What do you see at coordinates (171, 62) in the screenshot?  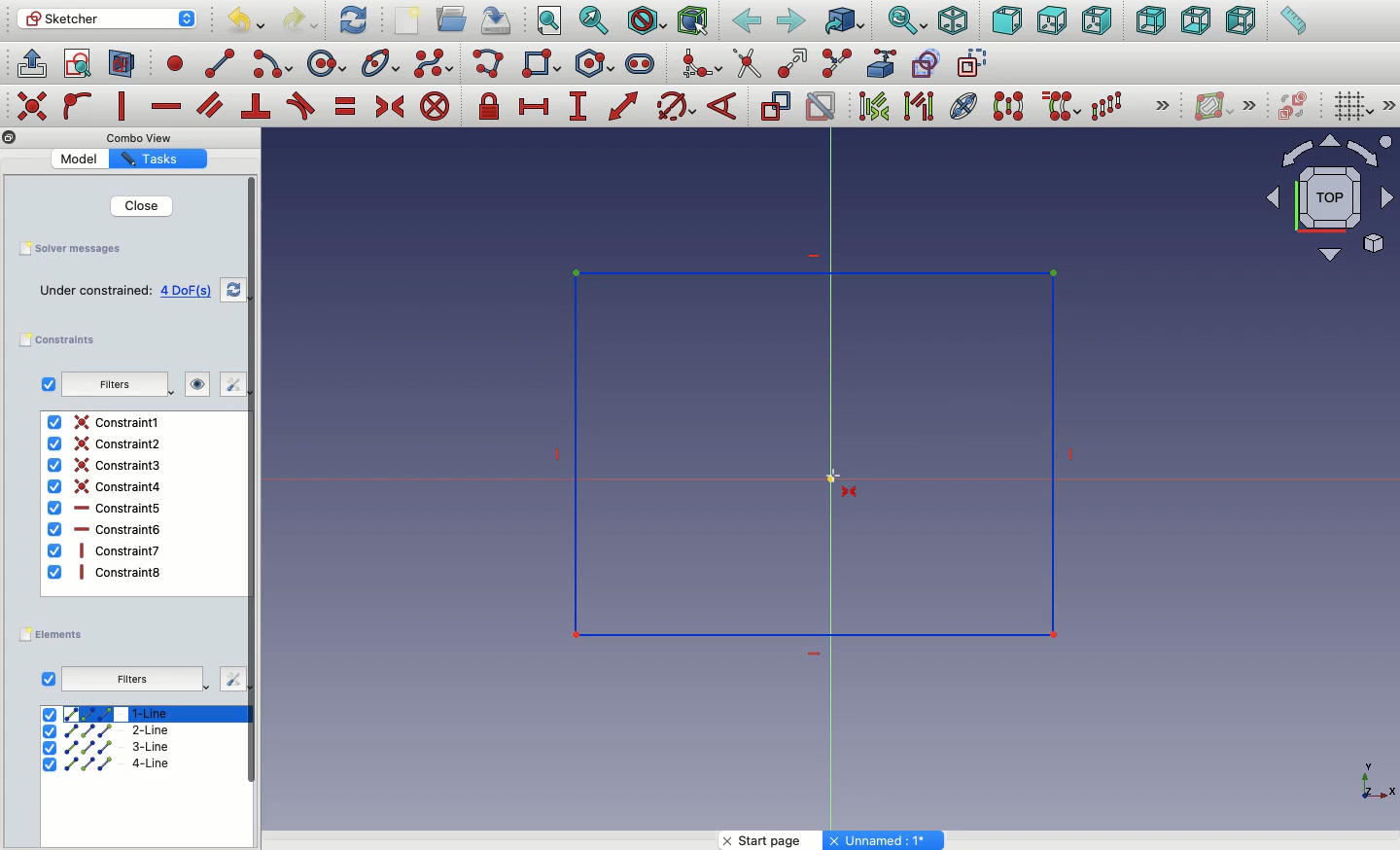 I see `point` at bounding box center [171, 62].